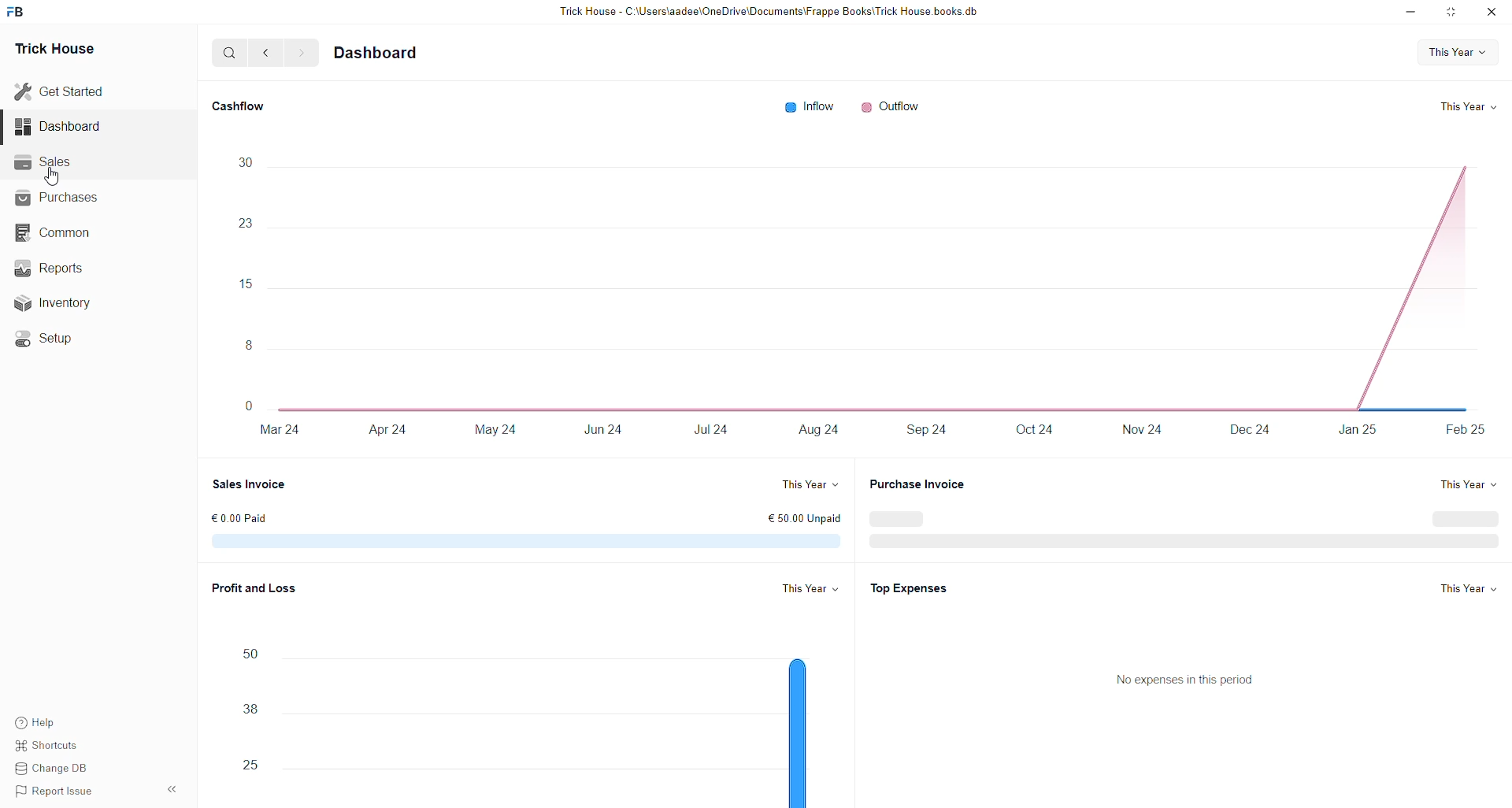 Image resolution: width=1512 pixels, height=808 pixels. Describe the element at coordinates (252, 487) in the screenshot. I see `Sale Invoice` at that location.